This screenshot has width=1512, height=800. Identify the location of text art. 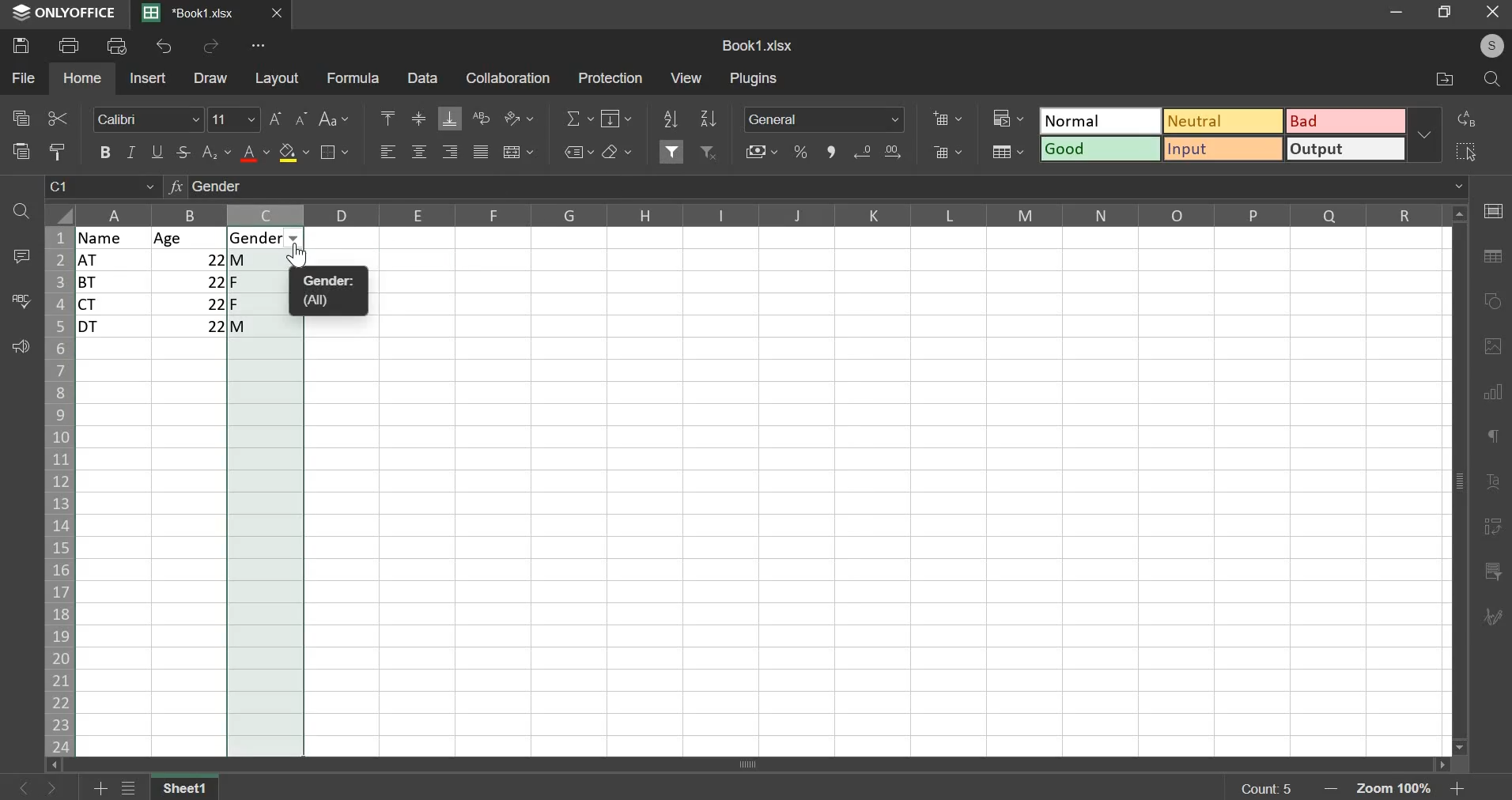
(1493, 484).